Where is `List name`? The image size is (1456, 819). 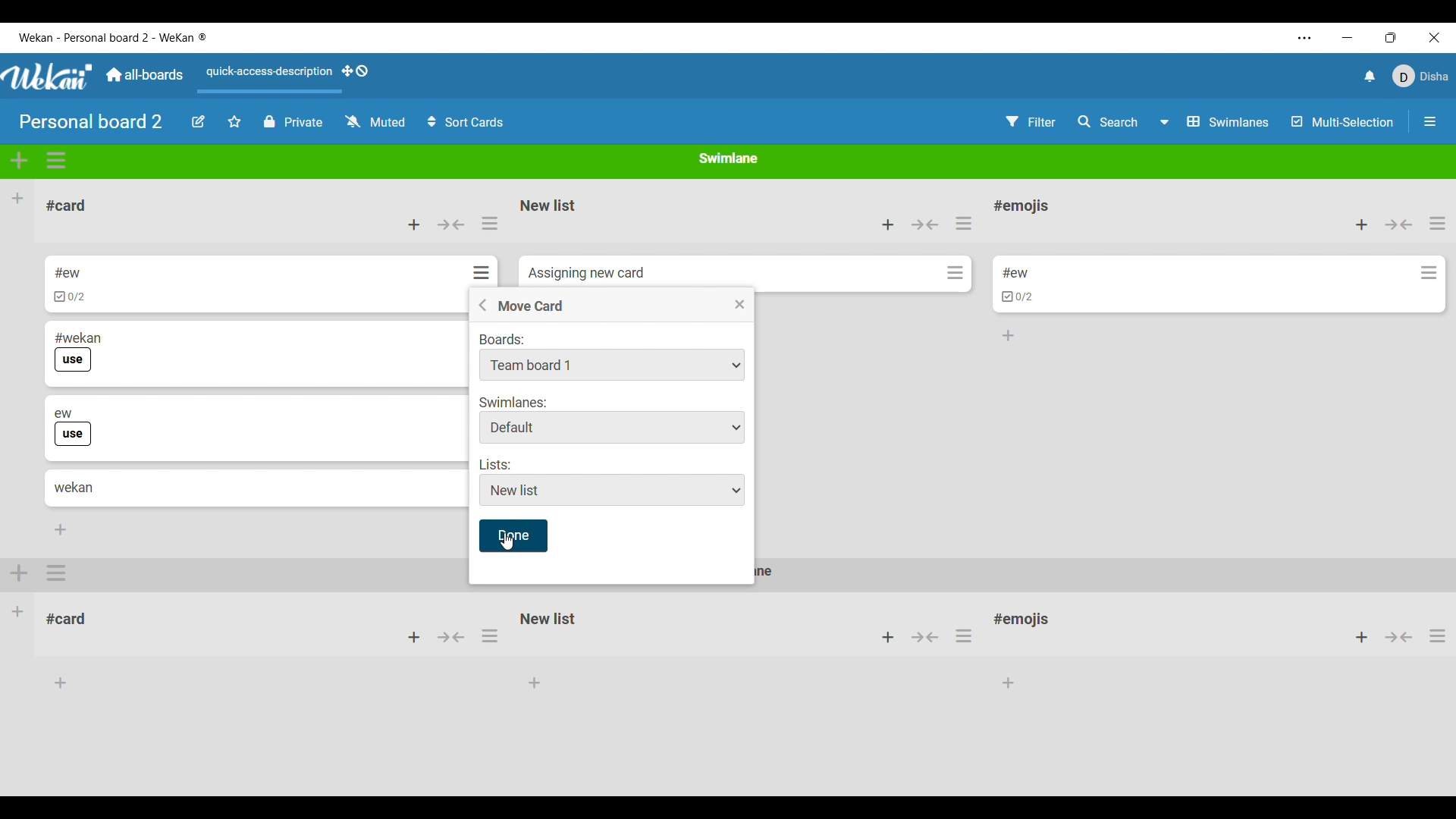
List name is located at coordinates (548, 206).